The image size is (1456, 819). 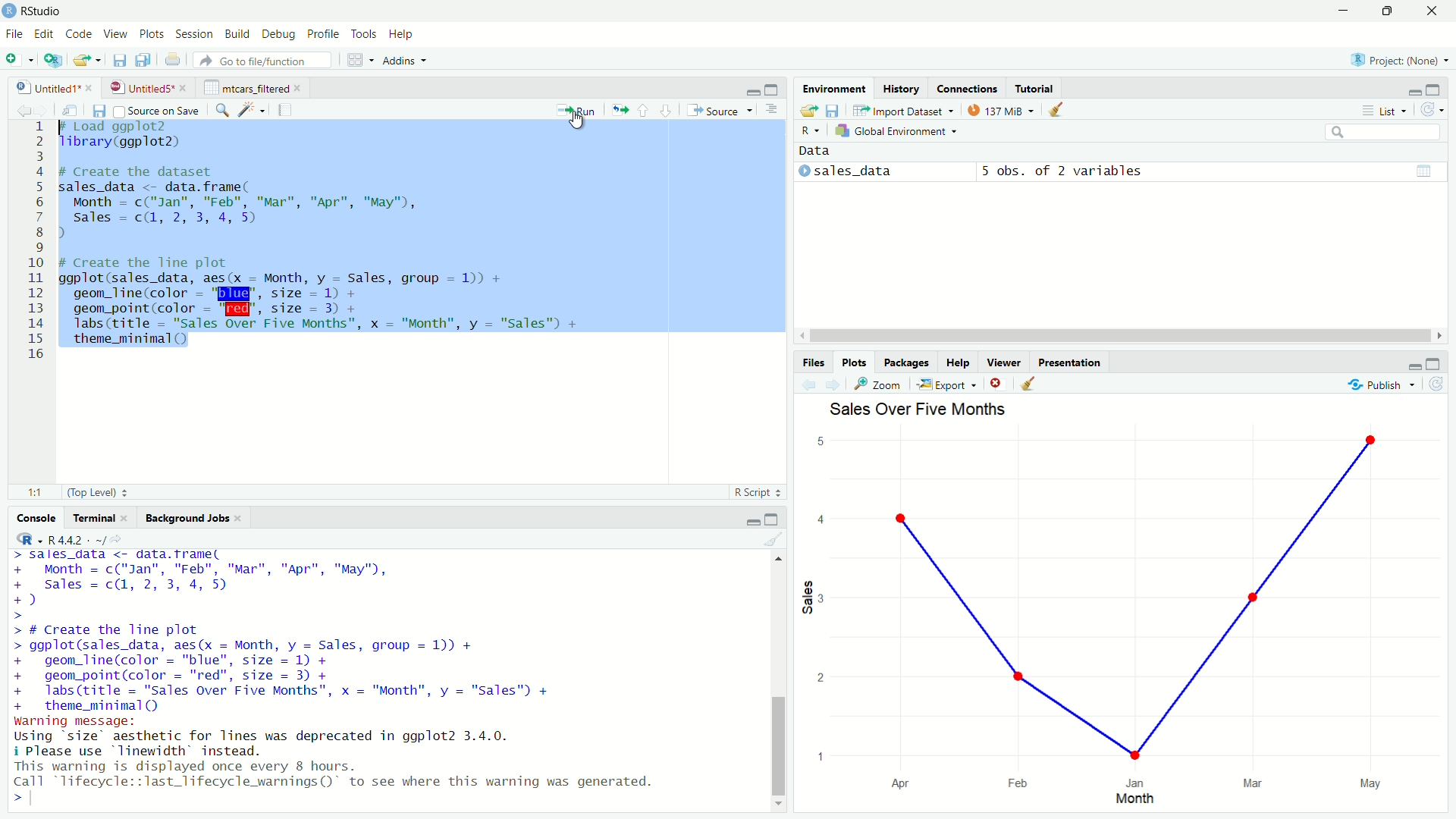 I want to click on viewer, so click(x=1004, y=362).